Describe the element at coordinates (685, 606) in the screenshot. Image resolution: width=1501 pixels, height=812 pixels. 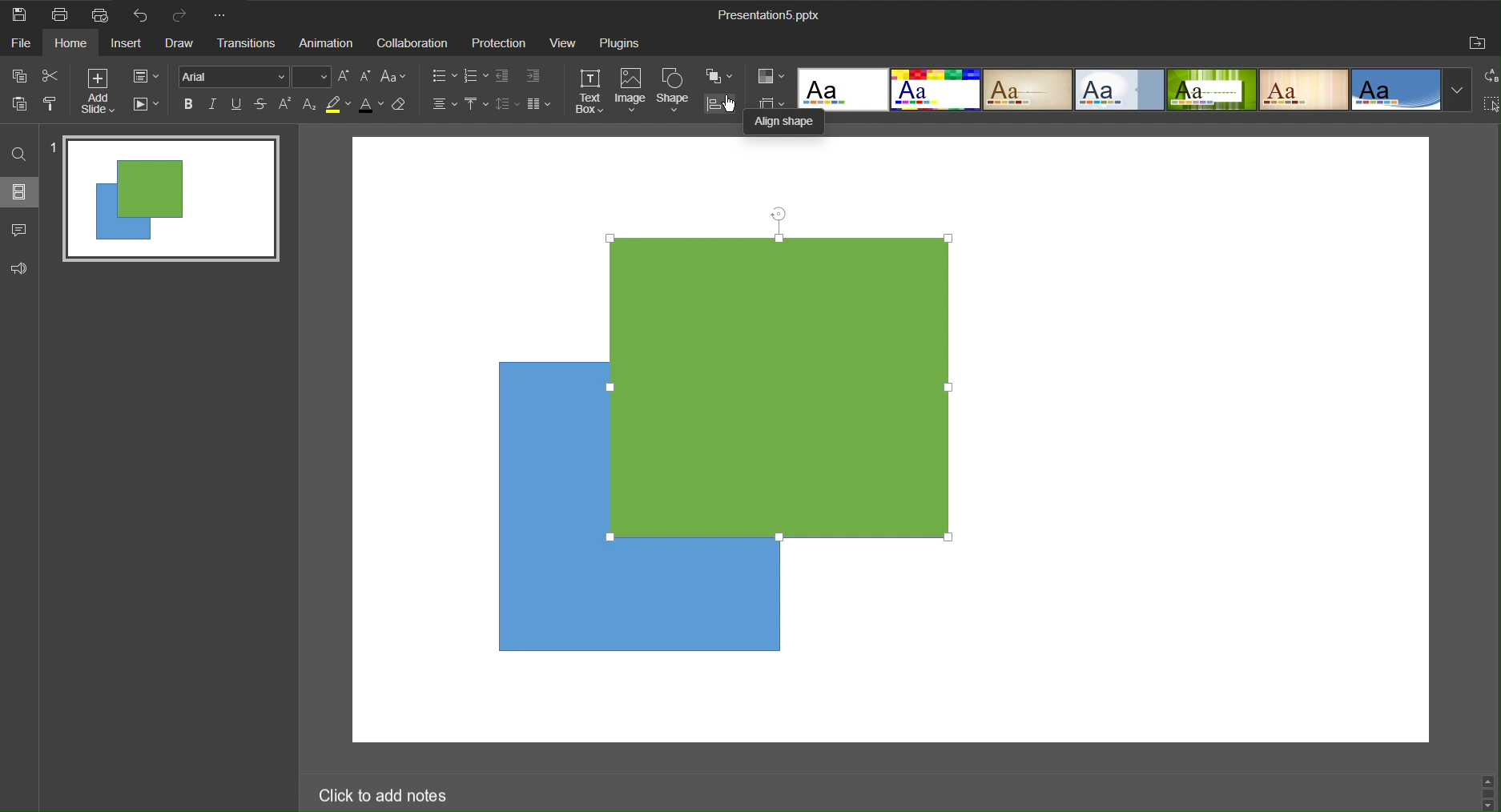
I see `shape` at that location.